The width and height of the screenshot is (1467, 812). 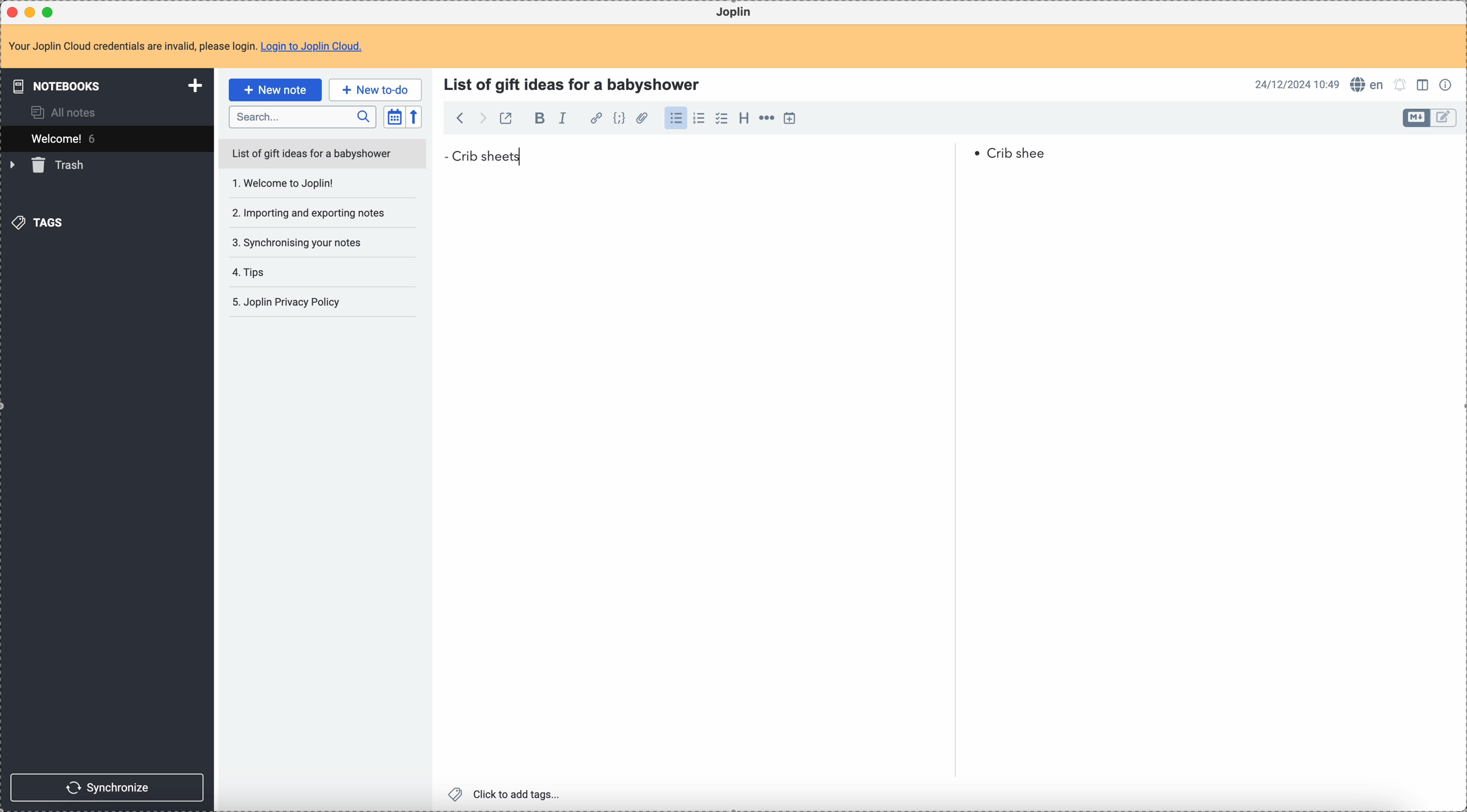 I want to click on date and hour, so click(x=1297, y=84).